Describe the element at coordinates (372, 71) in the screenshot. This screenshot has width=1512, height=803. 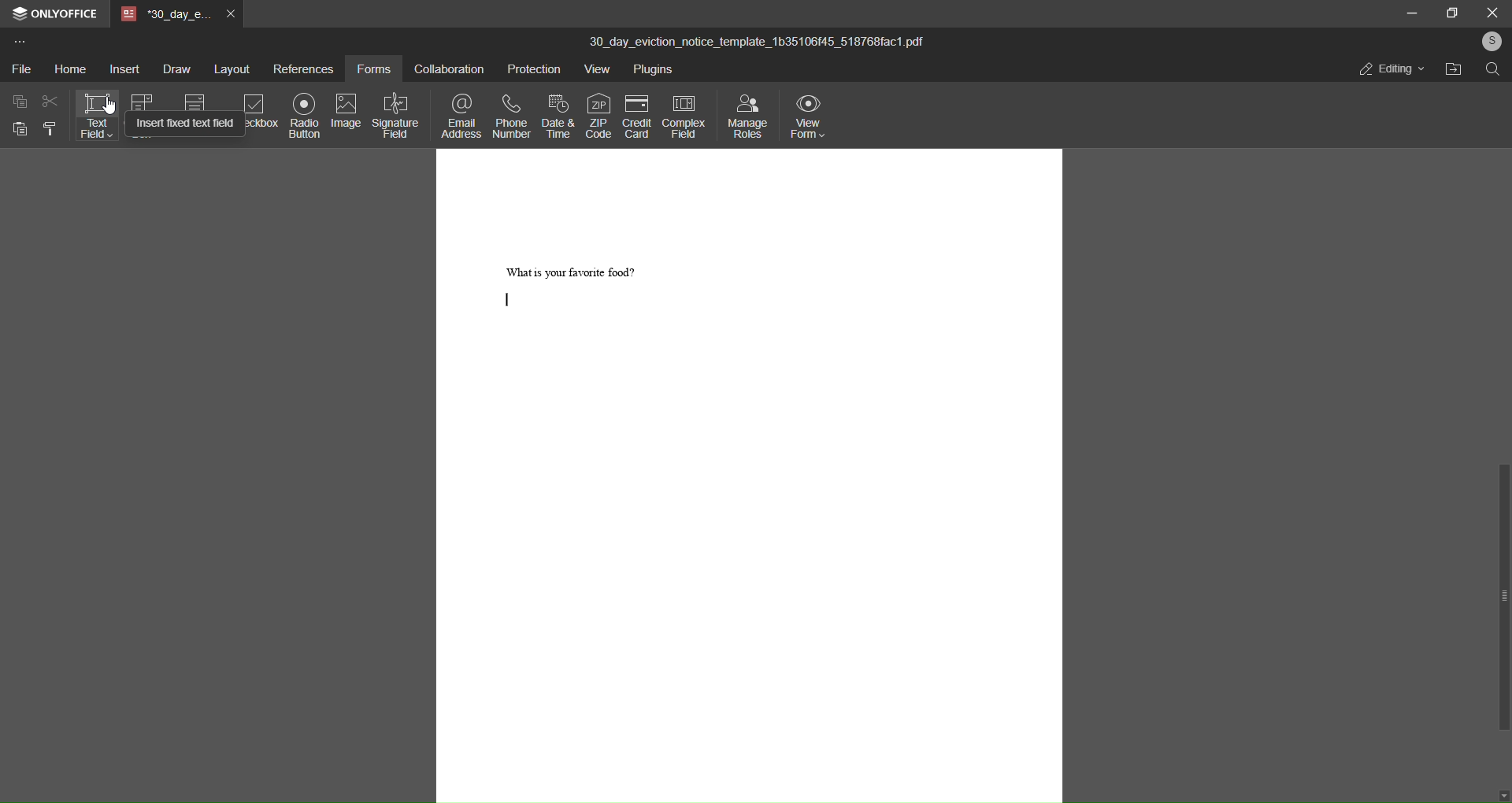
I see `forms` at that location.